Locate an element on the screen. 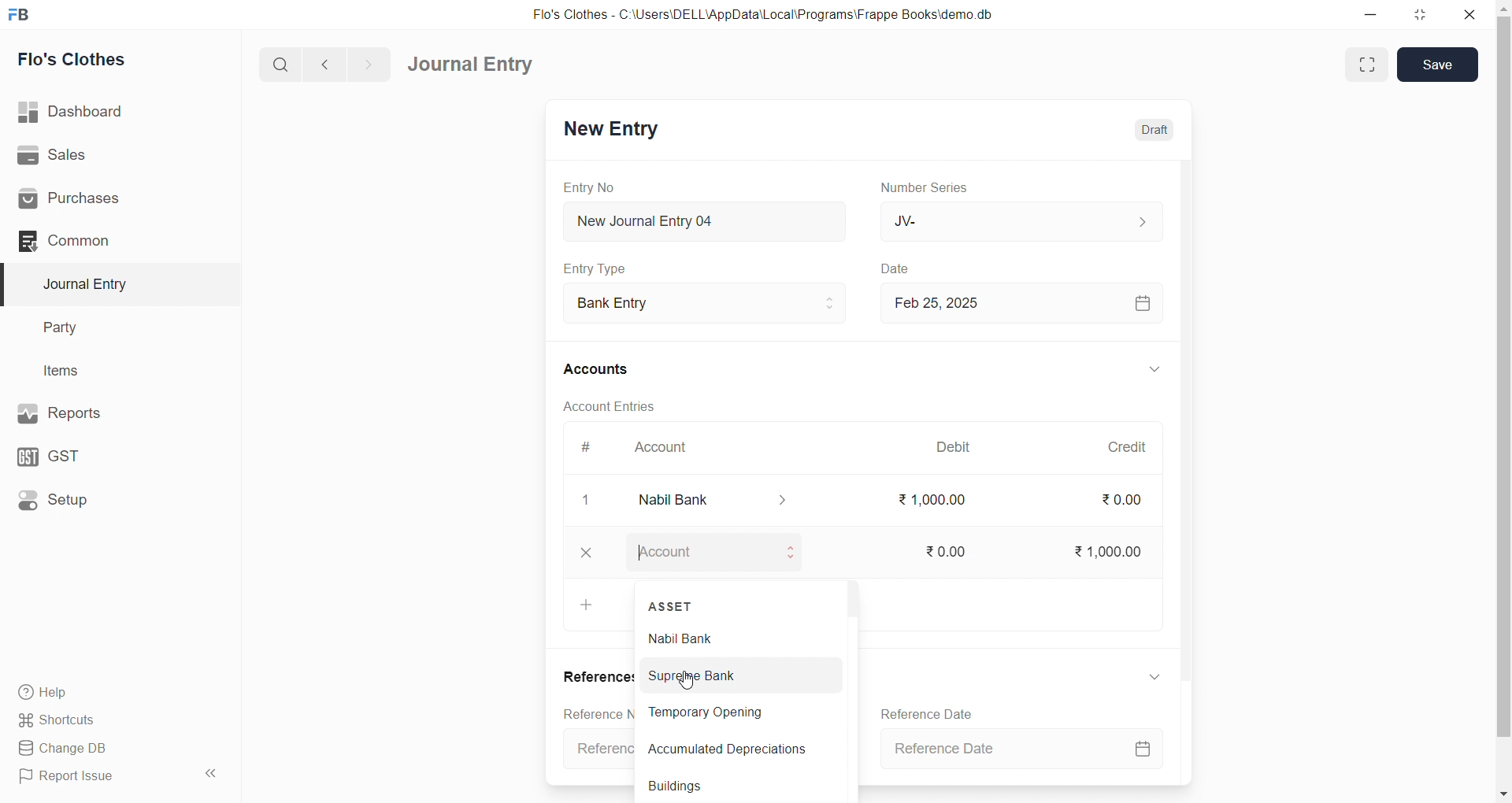  New Entry is located at coordinates (617, 131).